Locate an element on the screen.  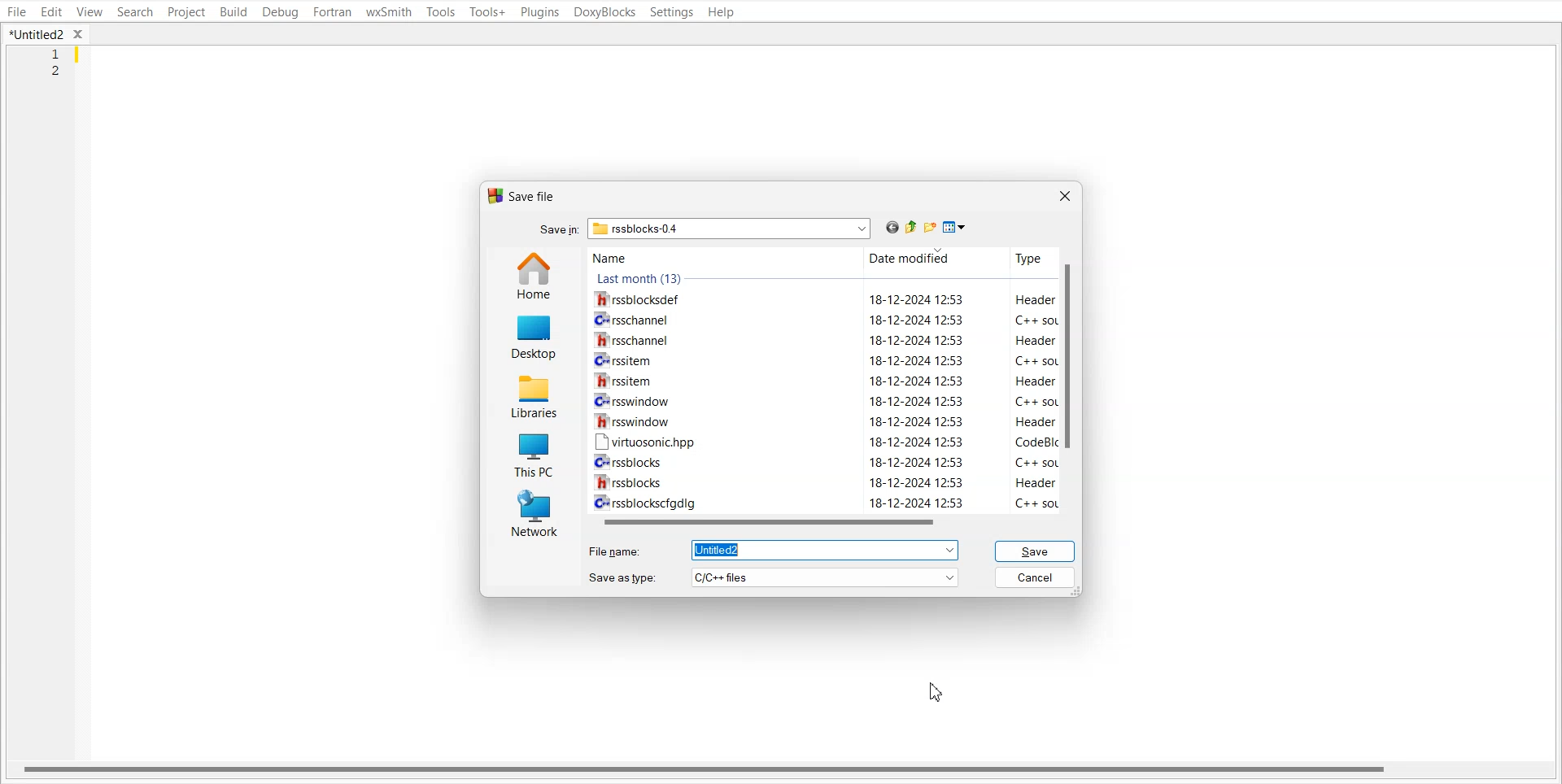
Text is located at coordinates (523, 196).